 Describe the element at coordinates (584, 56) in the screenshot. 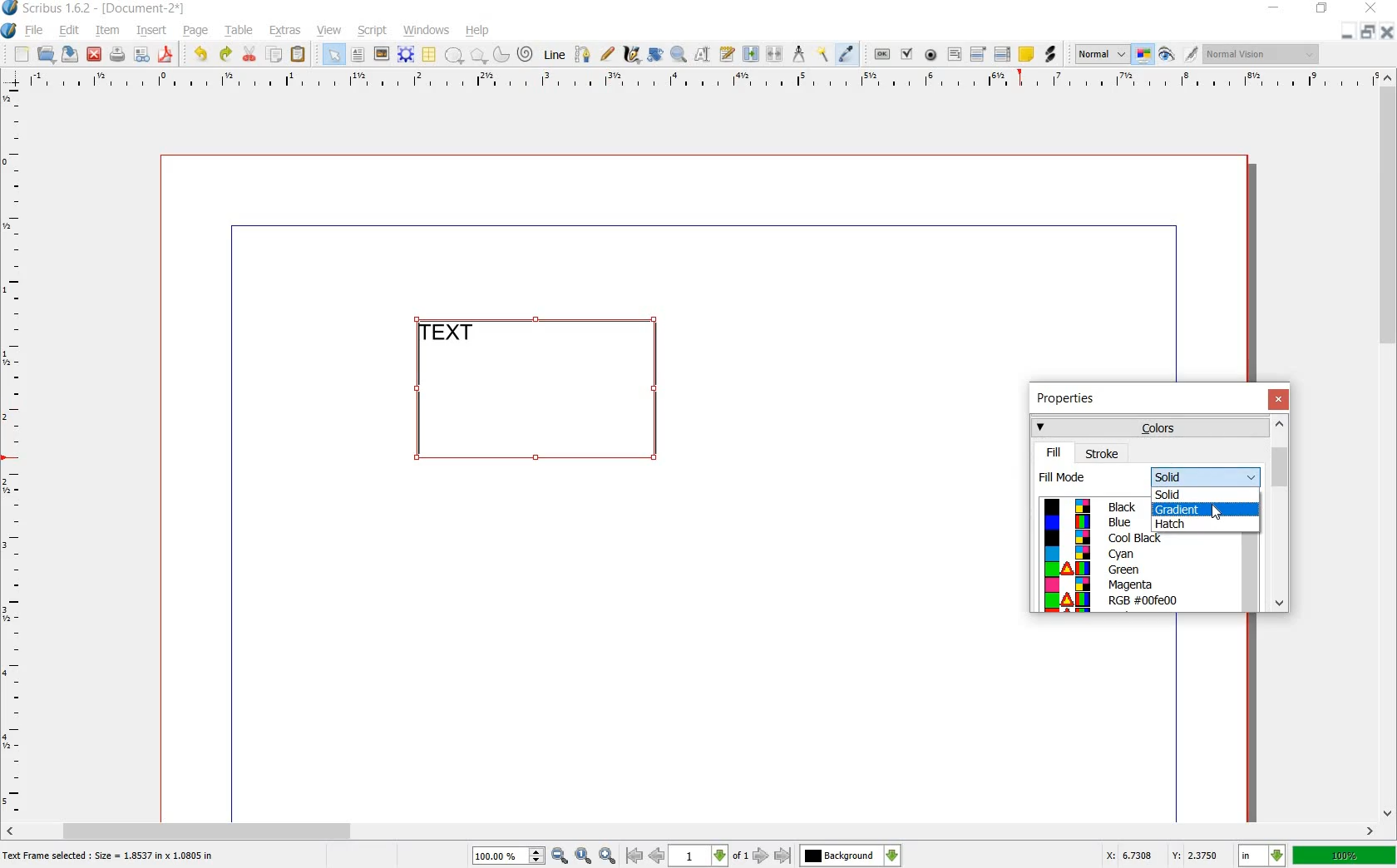

I see `bezier curve` at that location.